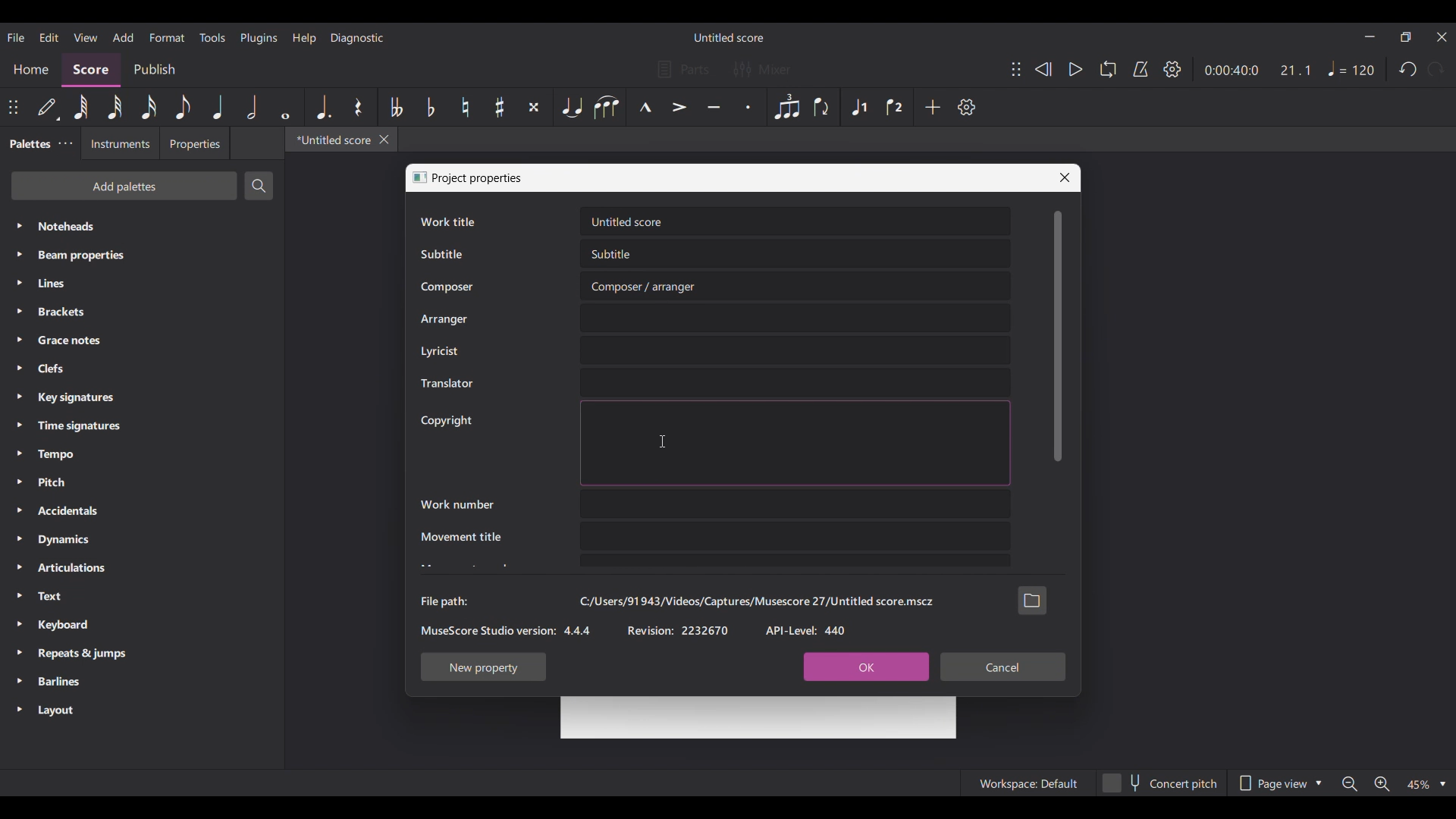 Image resolution: width=1456 pixels, height=819 pixels. What do you see at coordinates (1406, 36) in the screenshot?
I see `Show in smaller tab` at bounding box center [1406, 36].